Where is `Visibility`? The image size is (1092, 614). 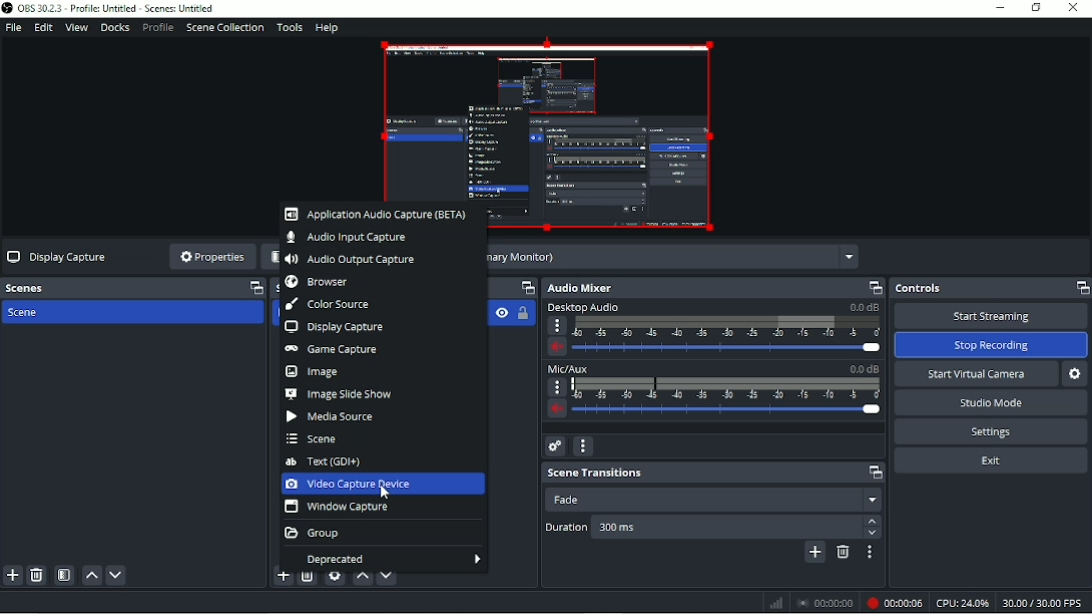 Visibility is located at coordinates (500, 313).